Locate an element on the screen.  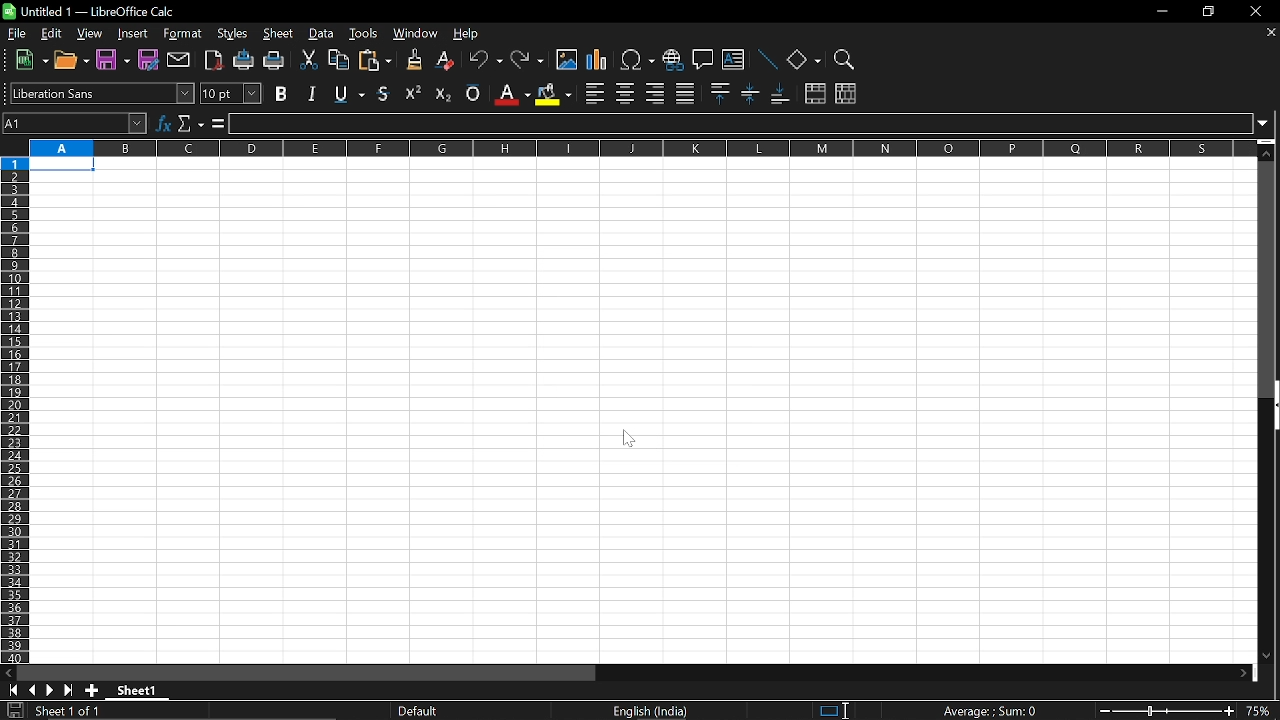
underline is located at coordinates (385, 93).